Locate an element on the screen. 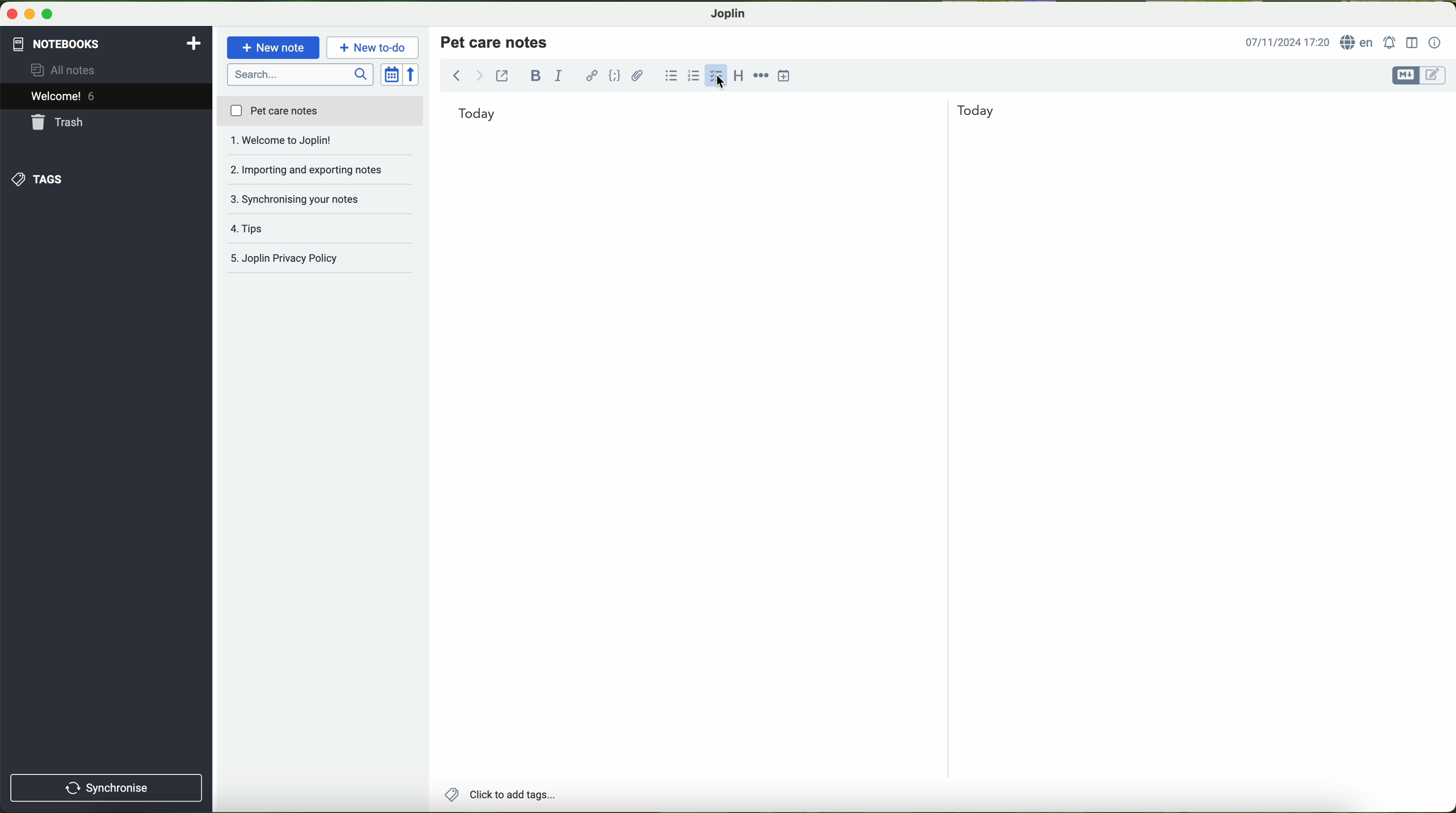 This screenshot has width=1456, height=813. synchronising your notes is located at coordinates (321, 171).